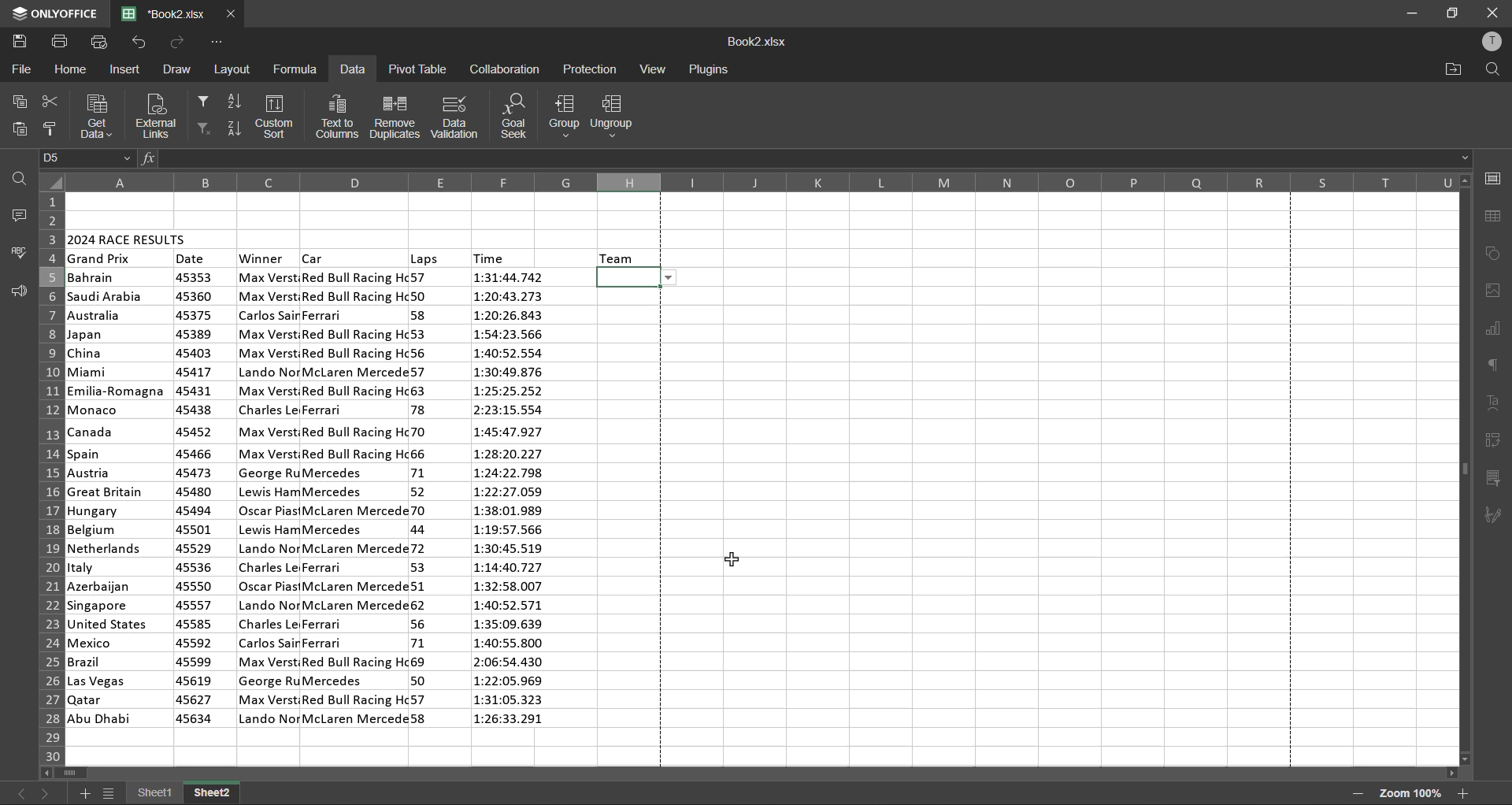 Image resolution: width=1512 pixels, height=805 pixels. I want to click on get data, so click(95, 116).